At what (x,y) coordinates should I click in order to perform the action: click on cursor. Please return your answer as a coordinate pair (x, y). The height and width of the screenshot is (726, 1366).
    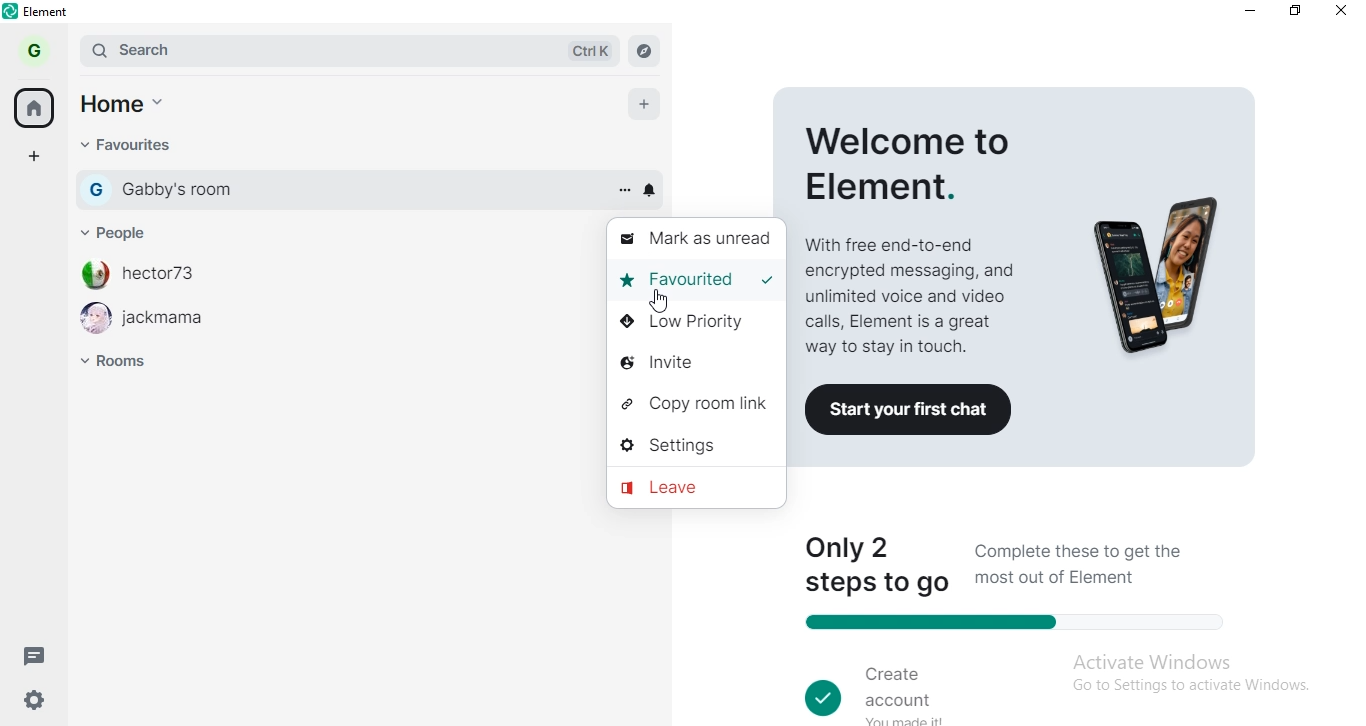
    Looking at the image, I should click on (658, 301).